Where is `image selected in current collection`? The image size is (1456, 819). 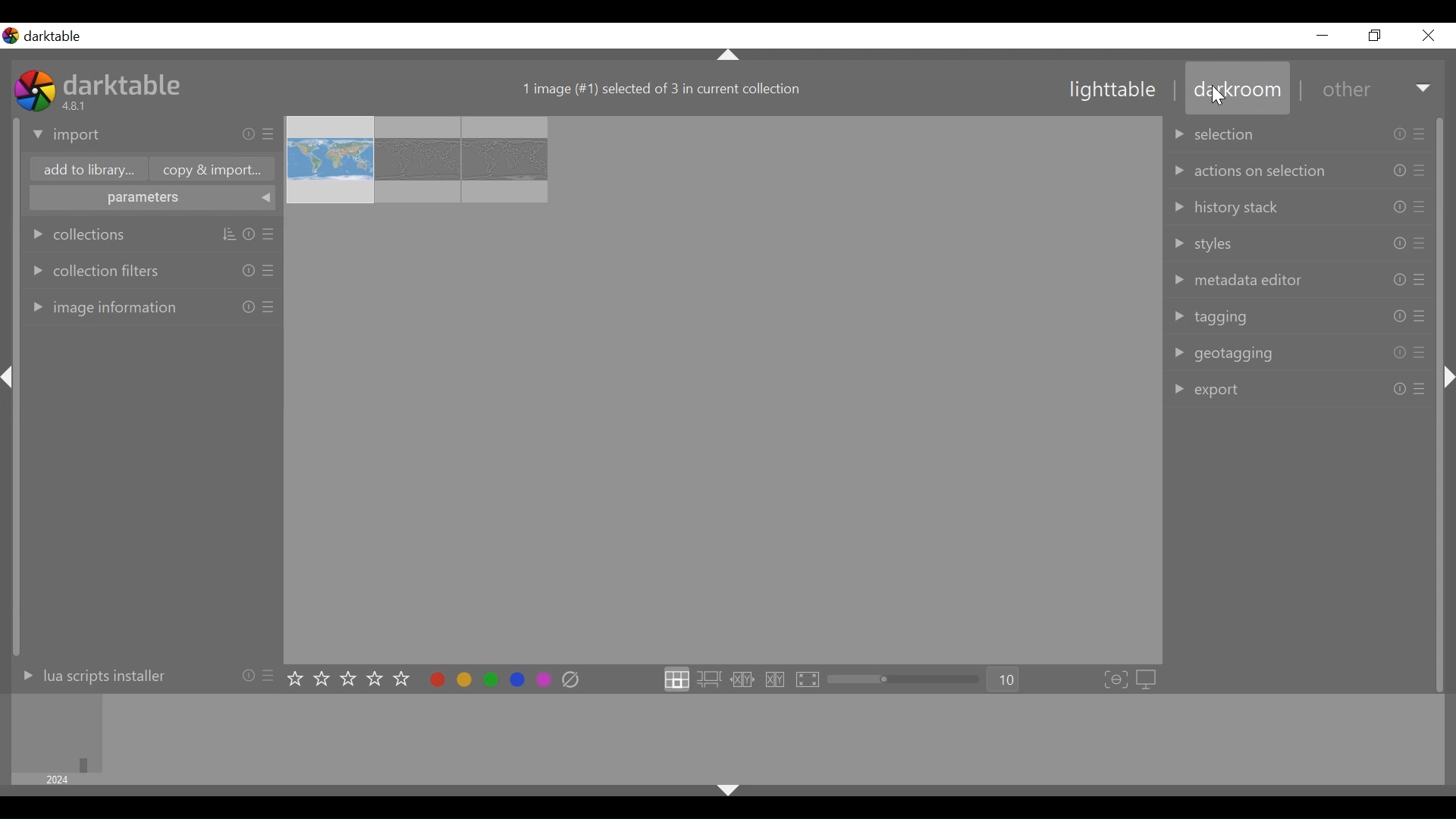 image selected in current collection is located at coordinates (661, 87).